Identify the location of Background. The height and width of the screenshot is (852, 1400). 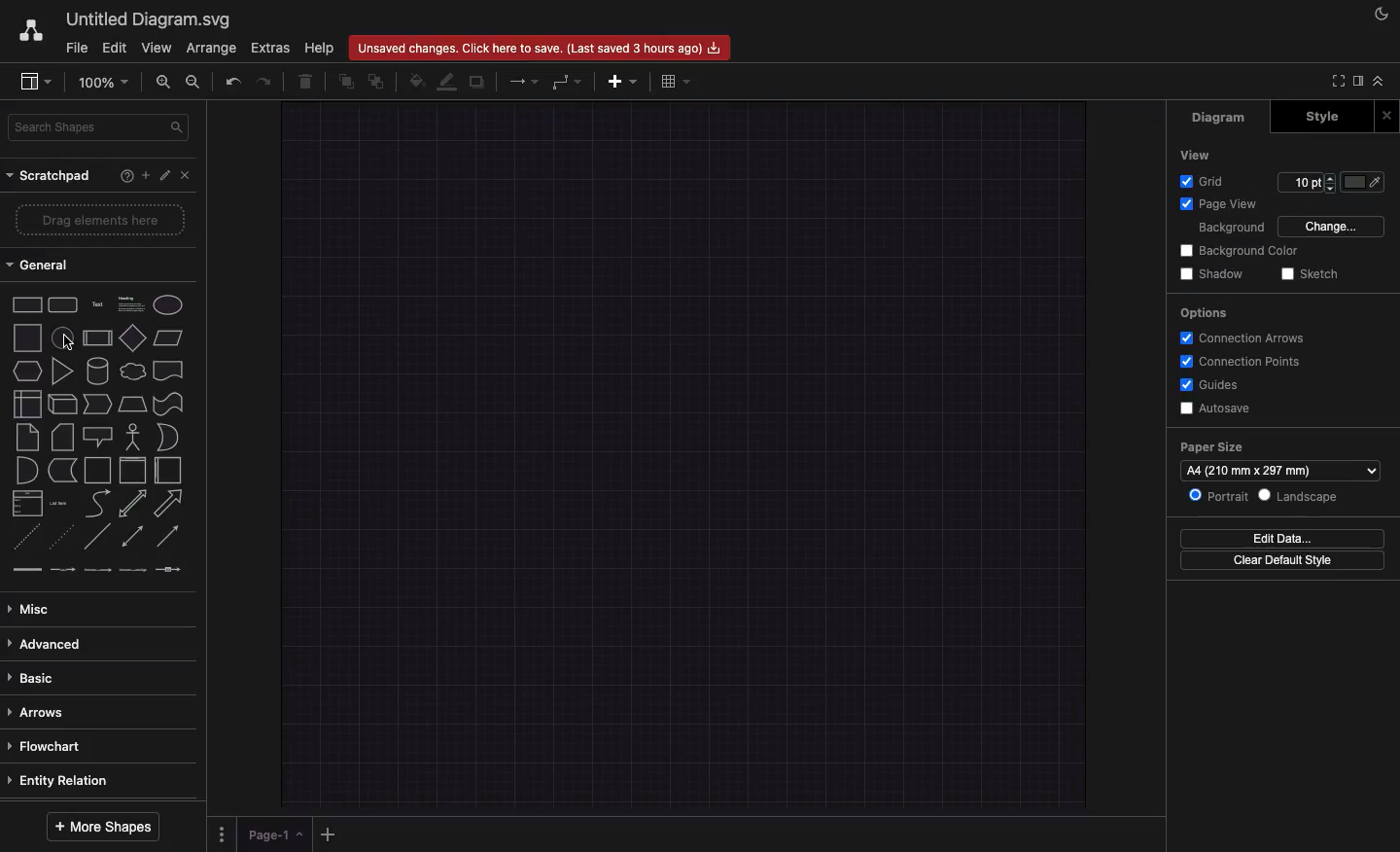
(1233, 228).